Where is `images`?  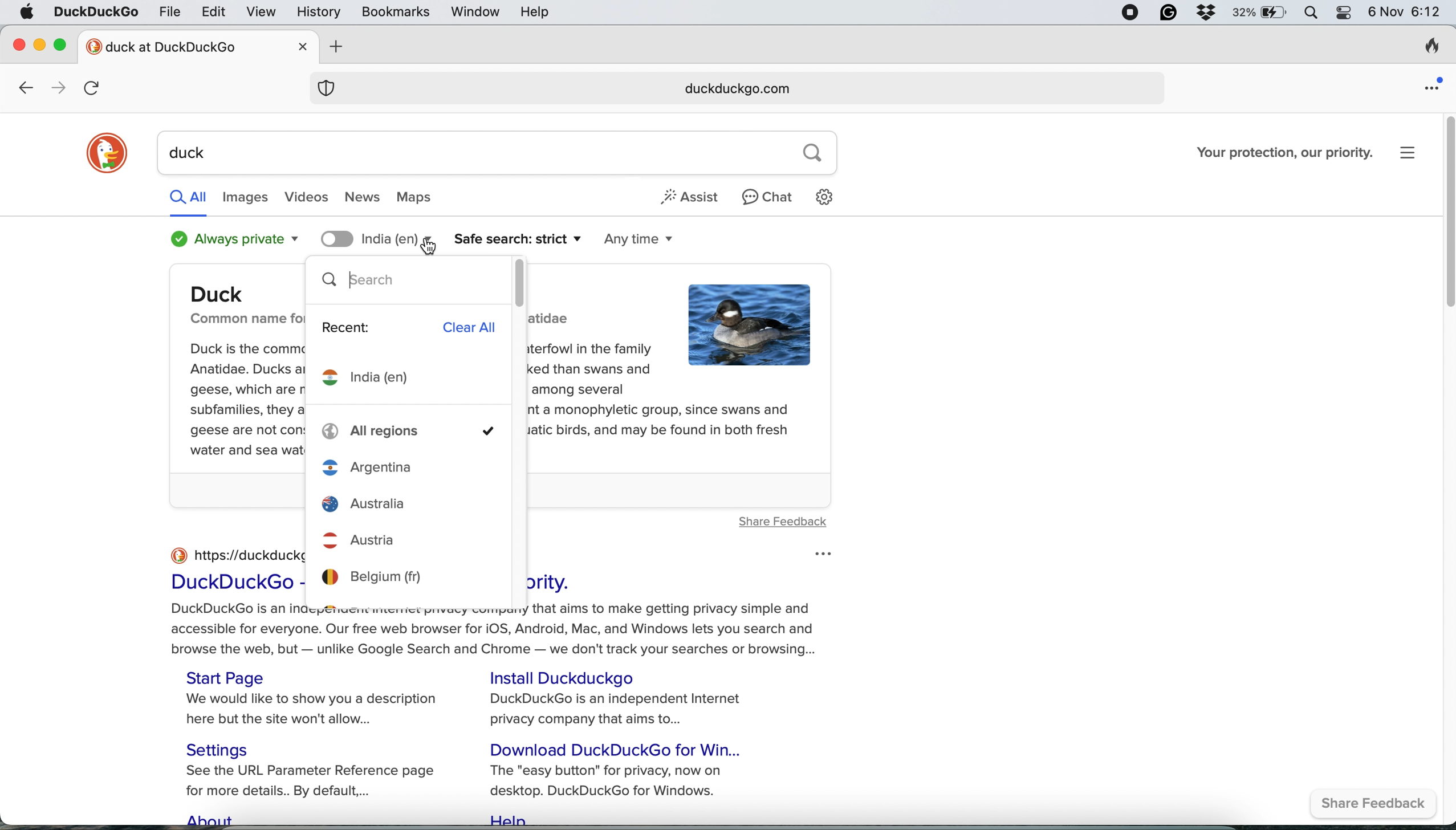 images is located at coordinates (245, 198).